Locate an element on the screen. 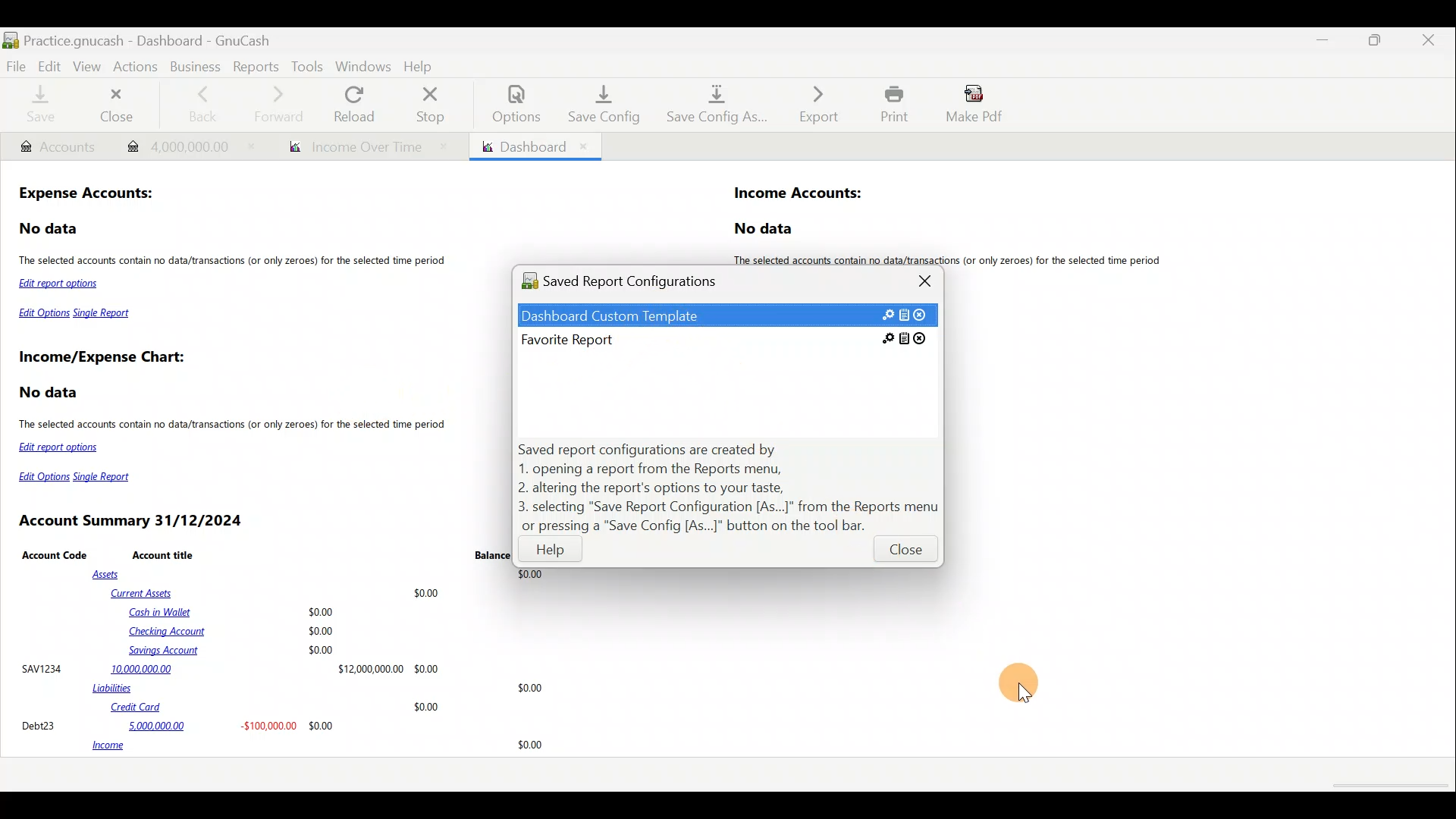 The height and width of the screenshot is (819, 1456). Edit Options Single Report is located at coordinates (80, 477).